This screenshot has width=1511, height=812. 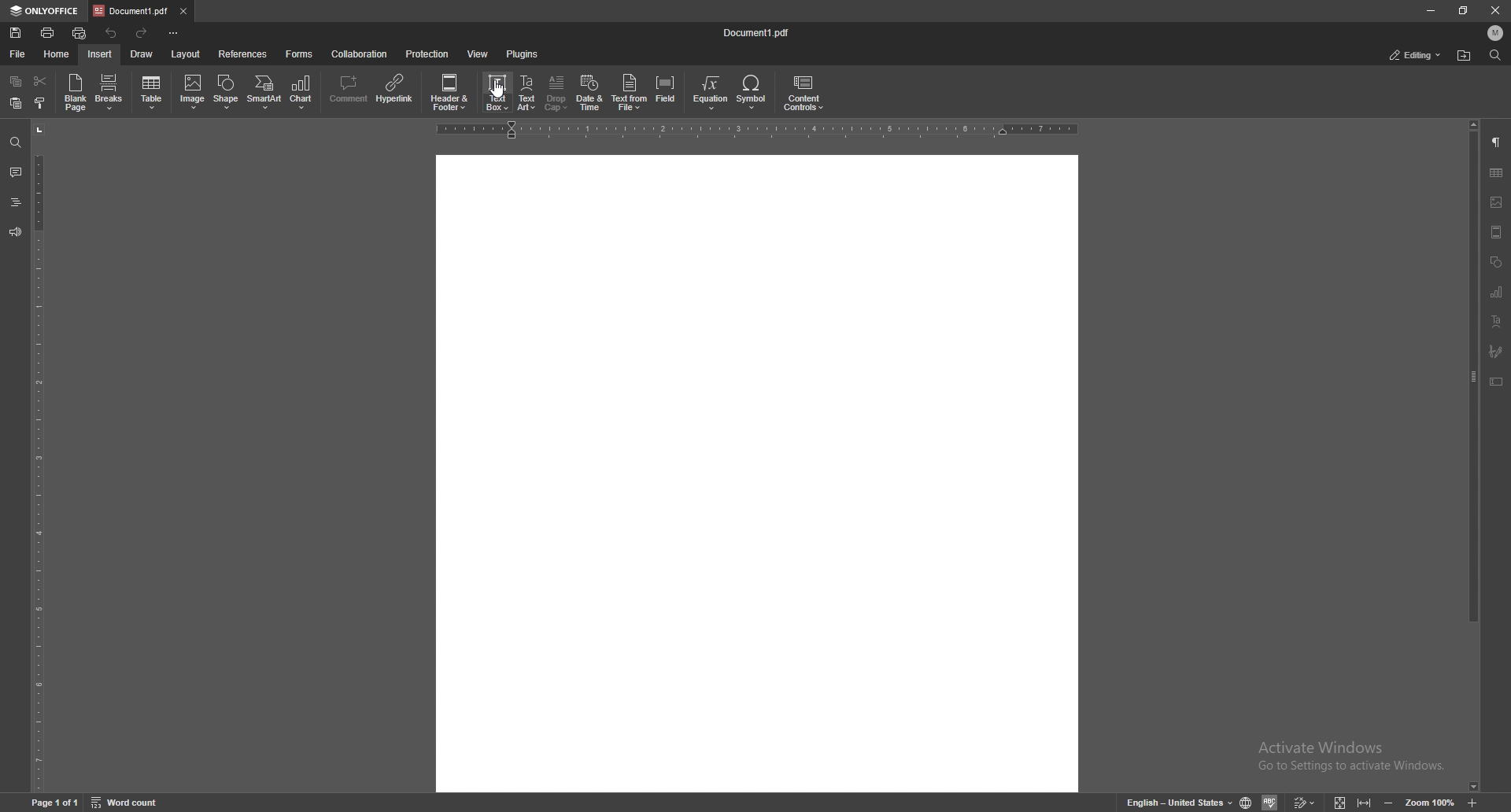 I want to click on spell check, so click(x=1269, y=802).